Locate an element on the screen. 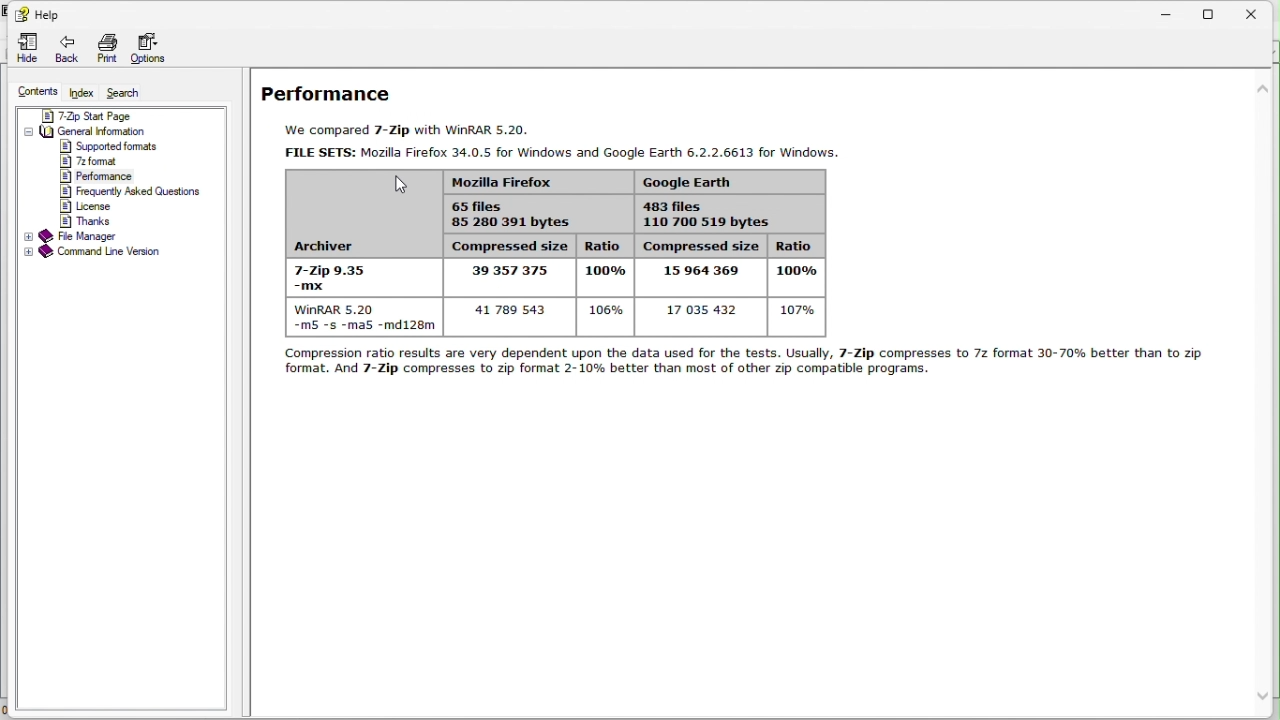 Image resolution: width=1280 pixels, height=720 pixels. Thanks is located at coordinates (90, 220).